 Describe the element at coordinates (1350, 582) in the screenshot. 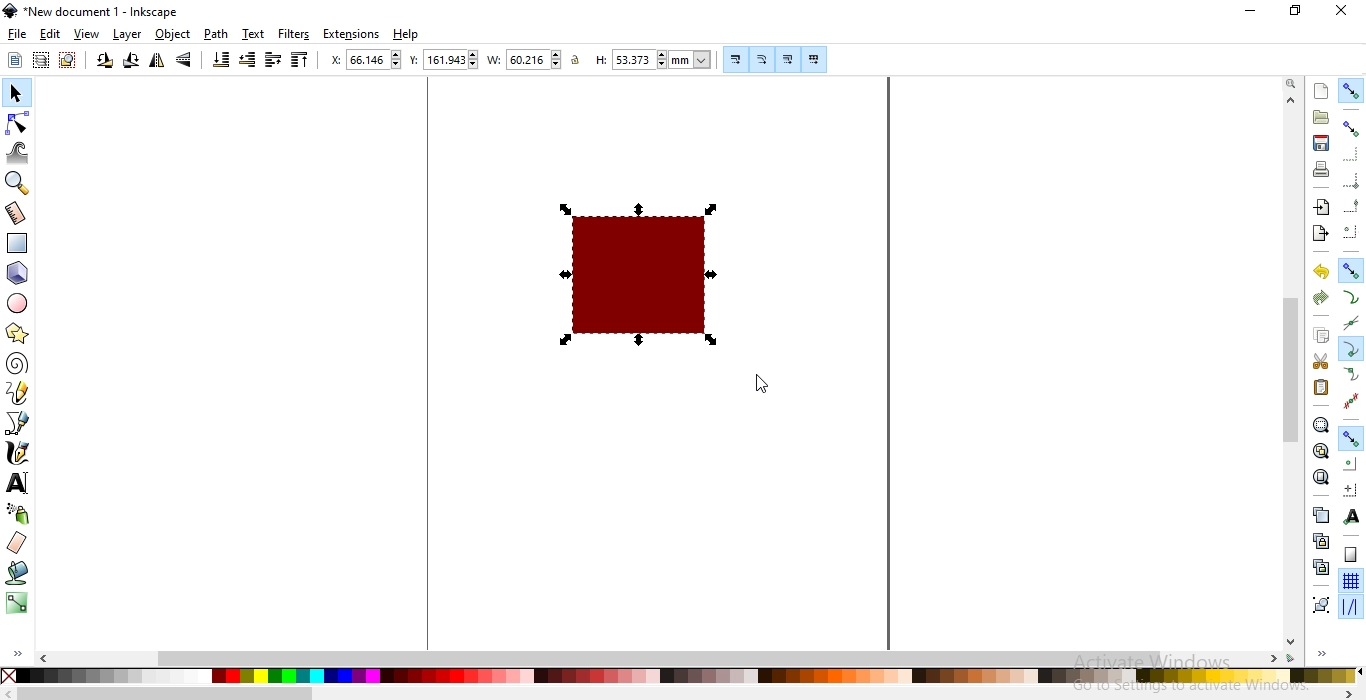

I see `snap to grids` at that location.